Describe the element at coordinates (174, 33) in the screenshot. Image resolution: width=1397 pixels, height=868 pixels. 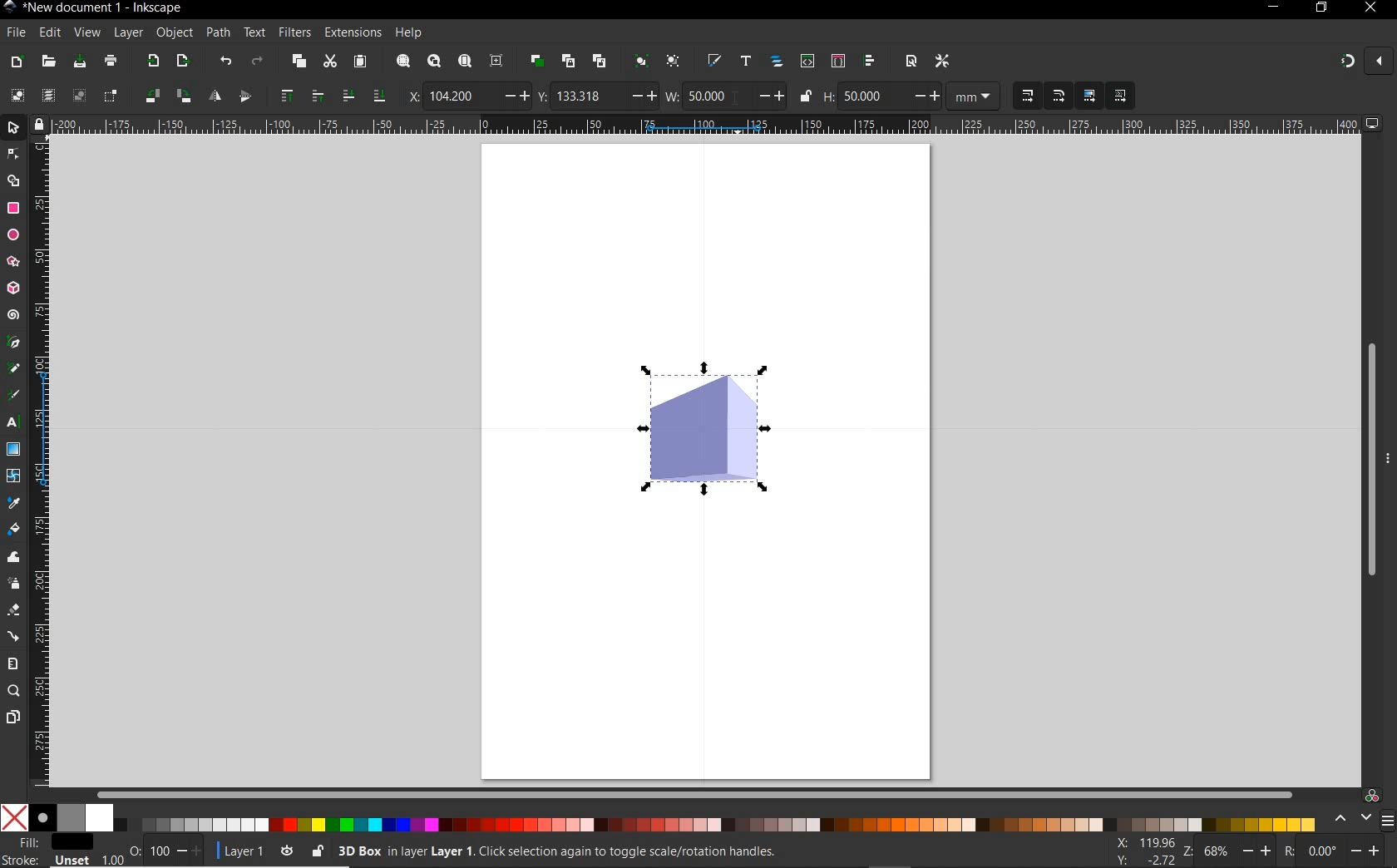
I see `object` at that location.